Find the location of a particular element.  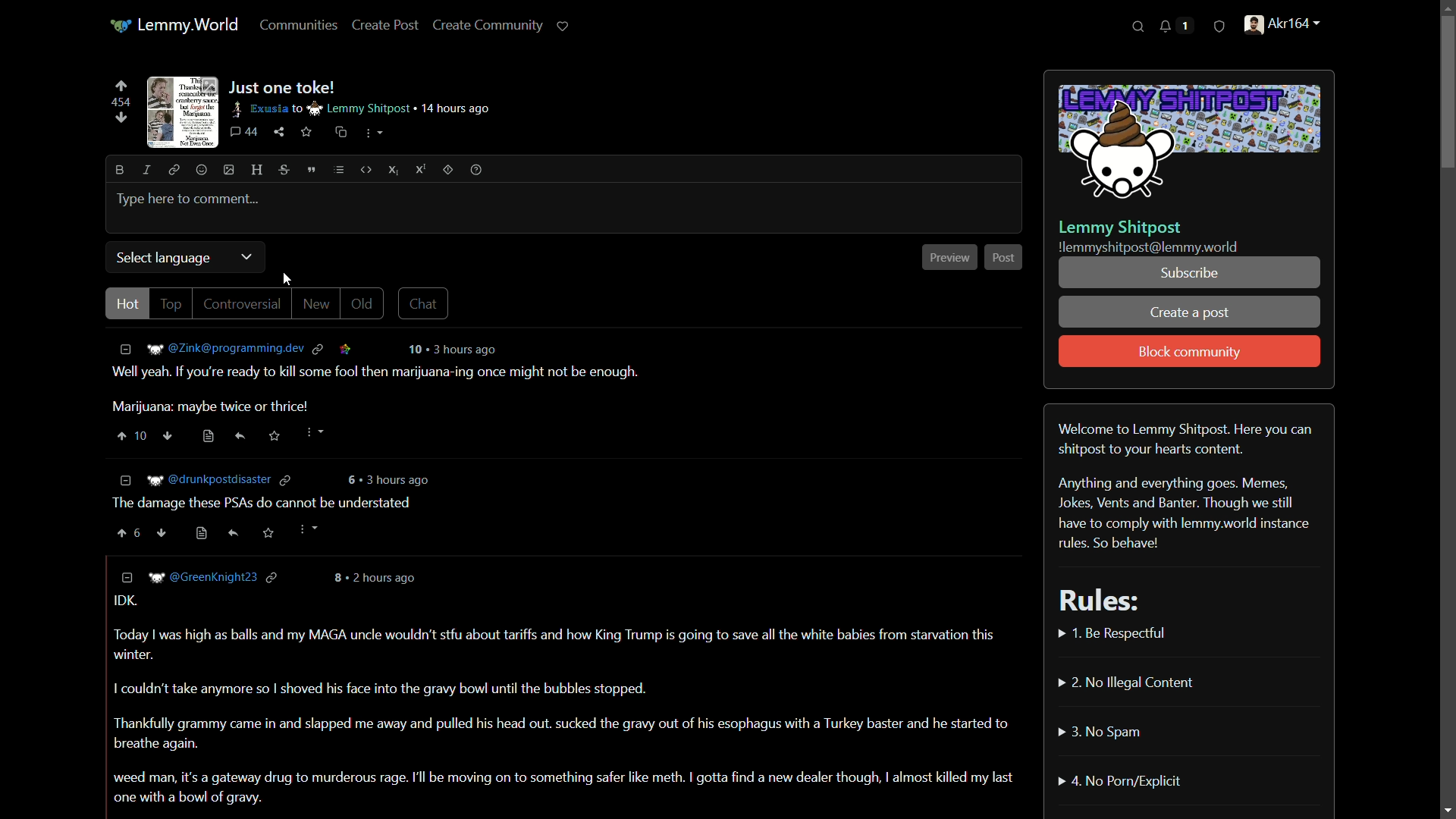

link is located at coordinates (274, 579).